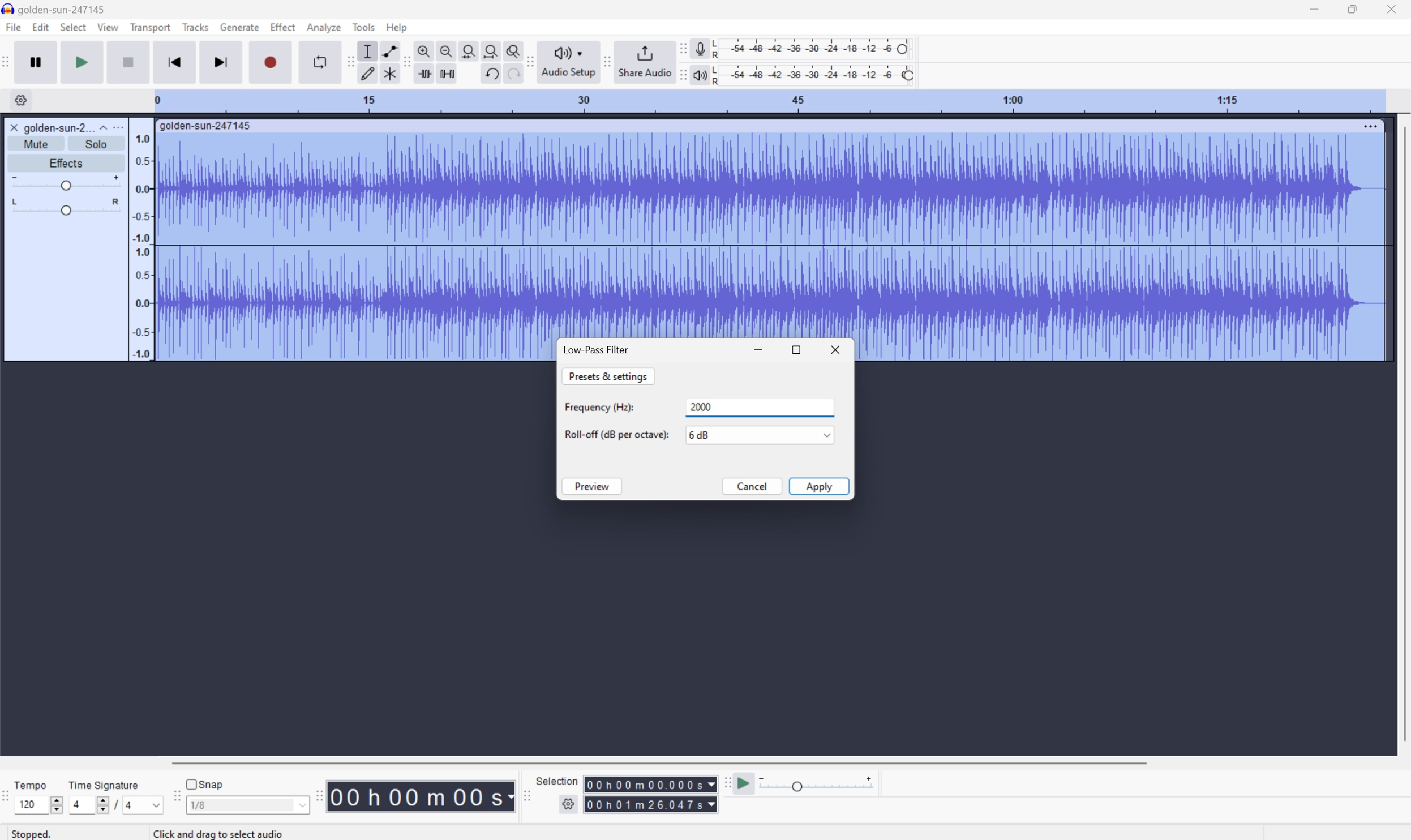  I want to click on Selection tool, so click(368, 51).